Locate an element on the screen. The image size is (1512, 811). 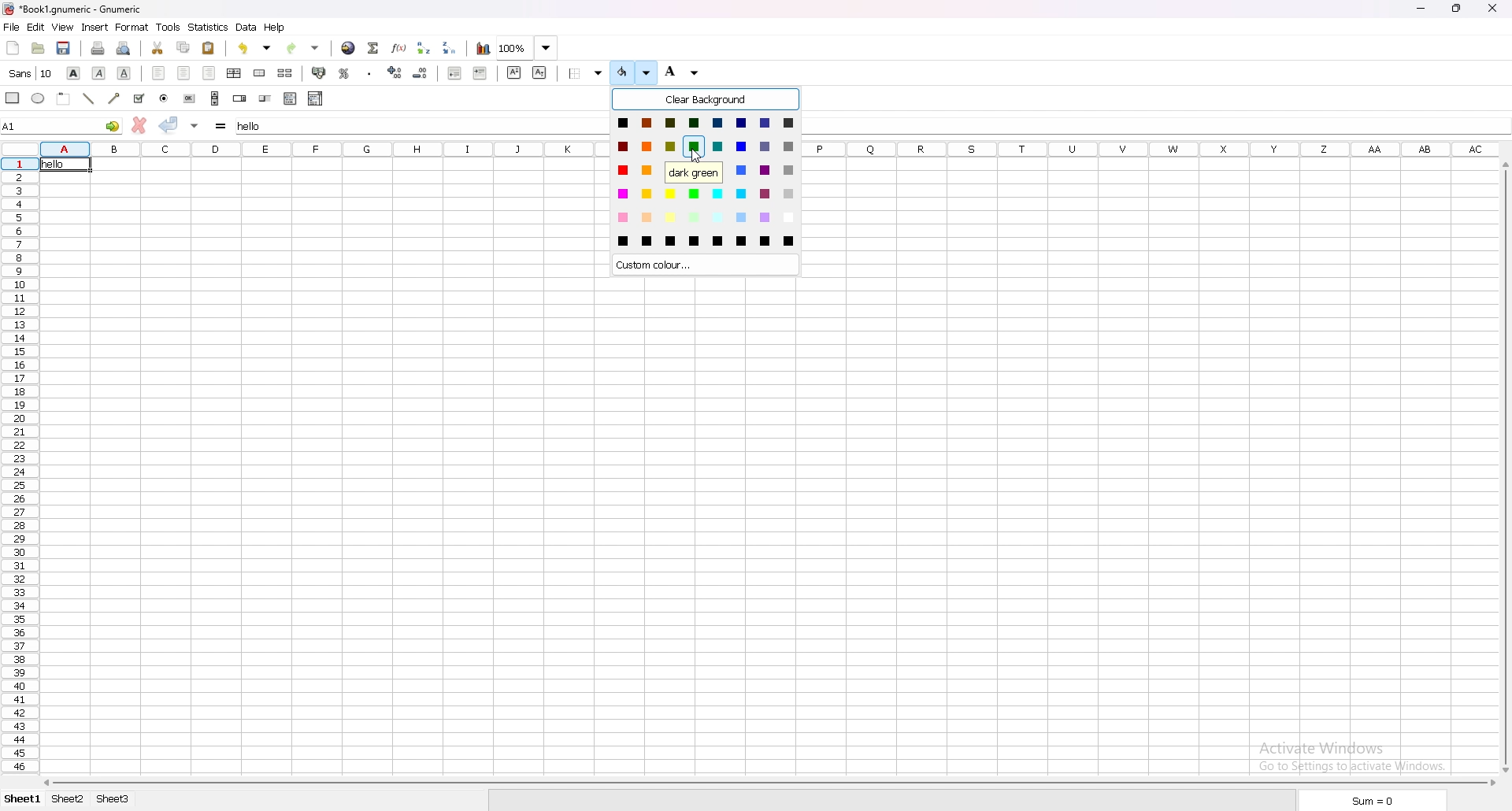
insert is located at coordinates (96, 27).